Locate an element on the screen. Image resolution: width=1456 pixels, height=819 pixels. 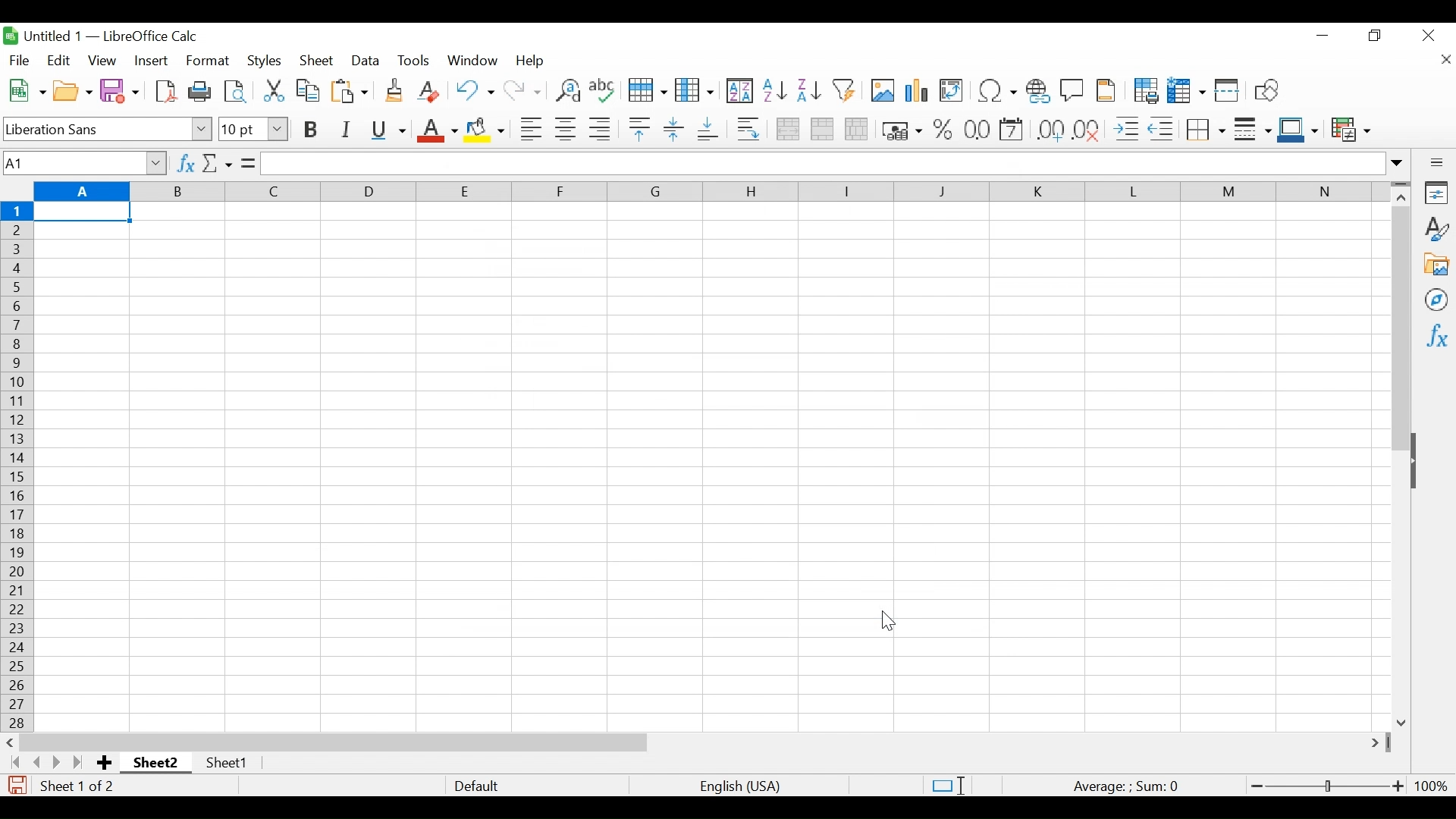
Close document is located at coordinates (1446, 60).